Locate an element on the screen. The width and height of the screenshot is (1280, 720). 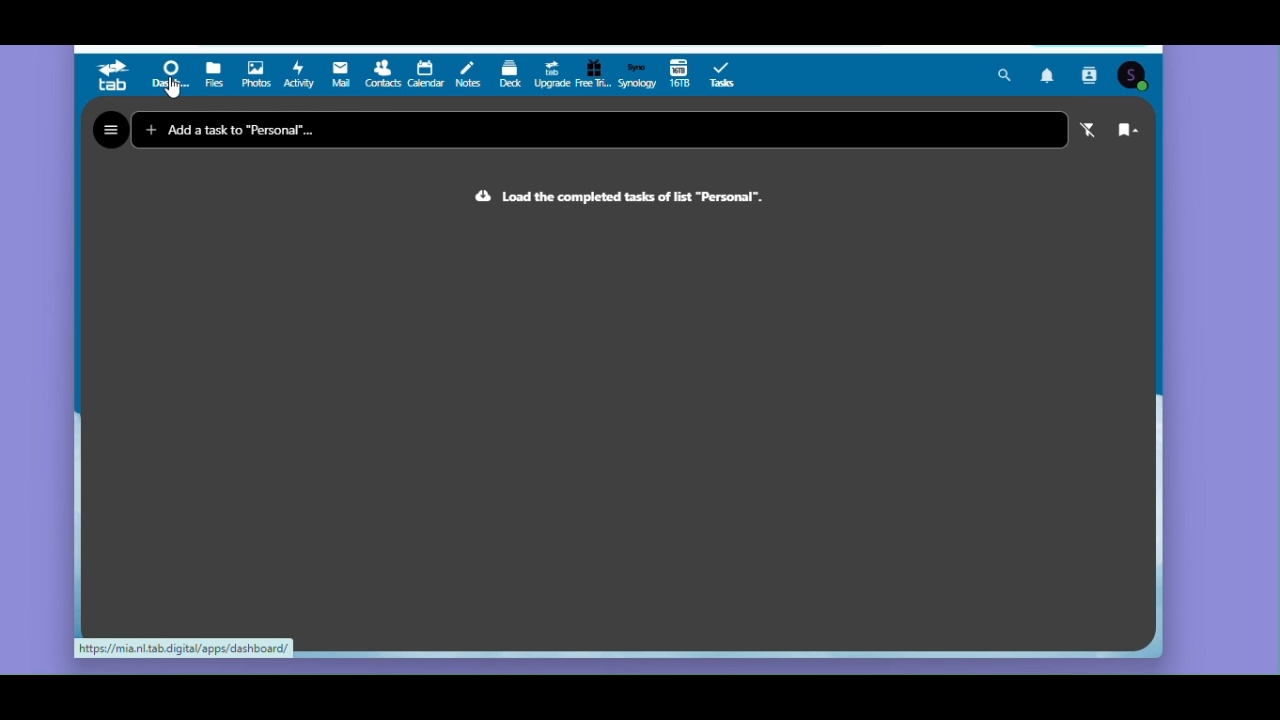
Notes is located at coordinates (466, 75).